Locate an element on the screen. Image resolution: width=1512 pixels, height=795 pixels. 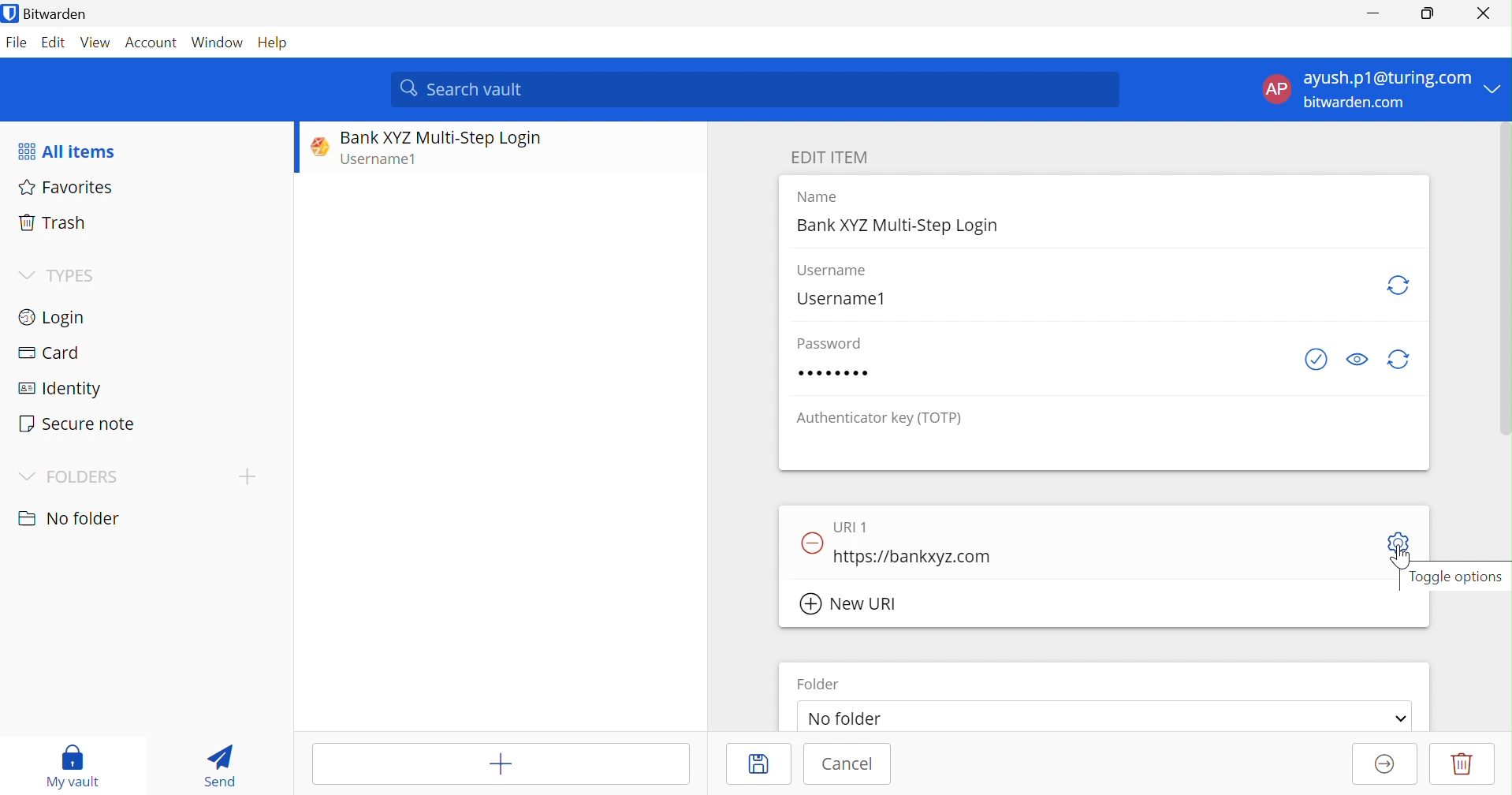
scroll bar is located at coordinates (1502, 289).